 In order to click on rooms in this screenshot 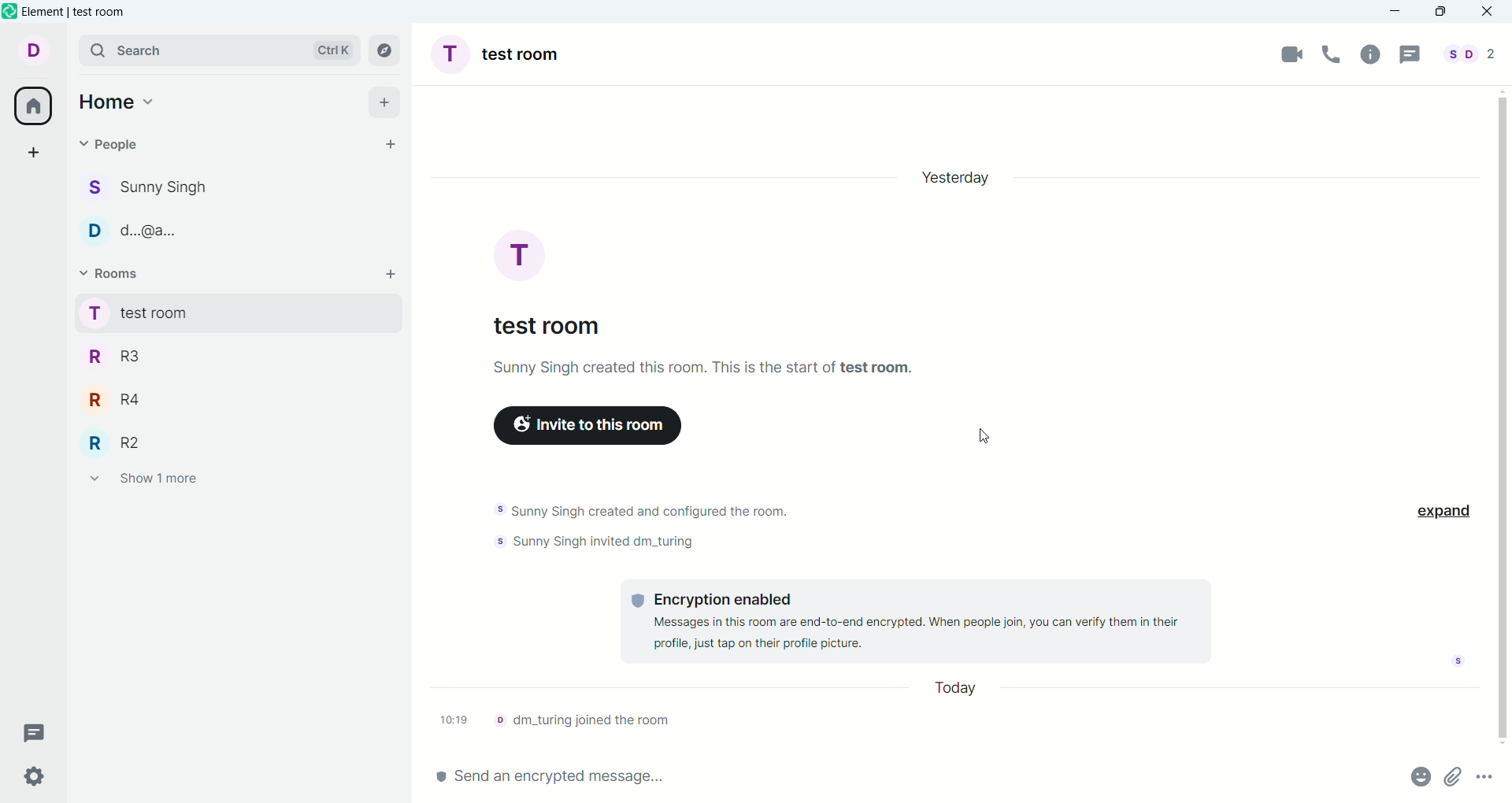, I will do `click(112, 272)`.